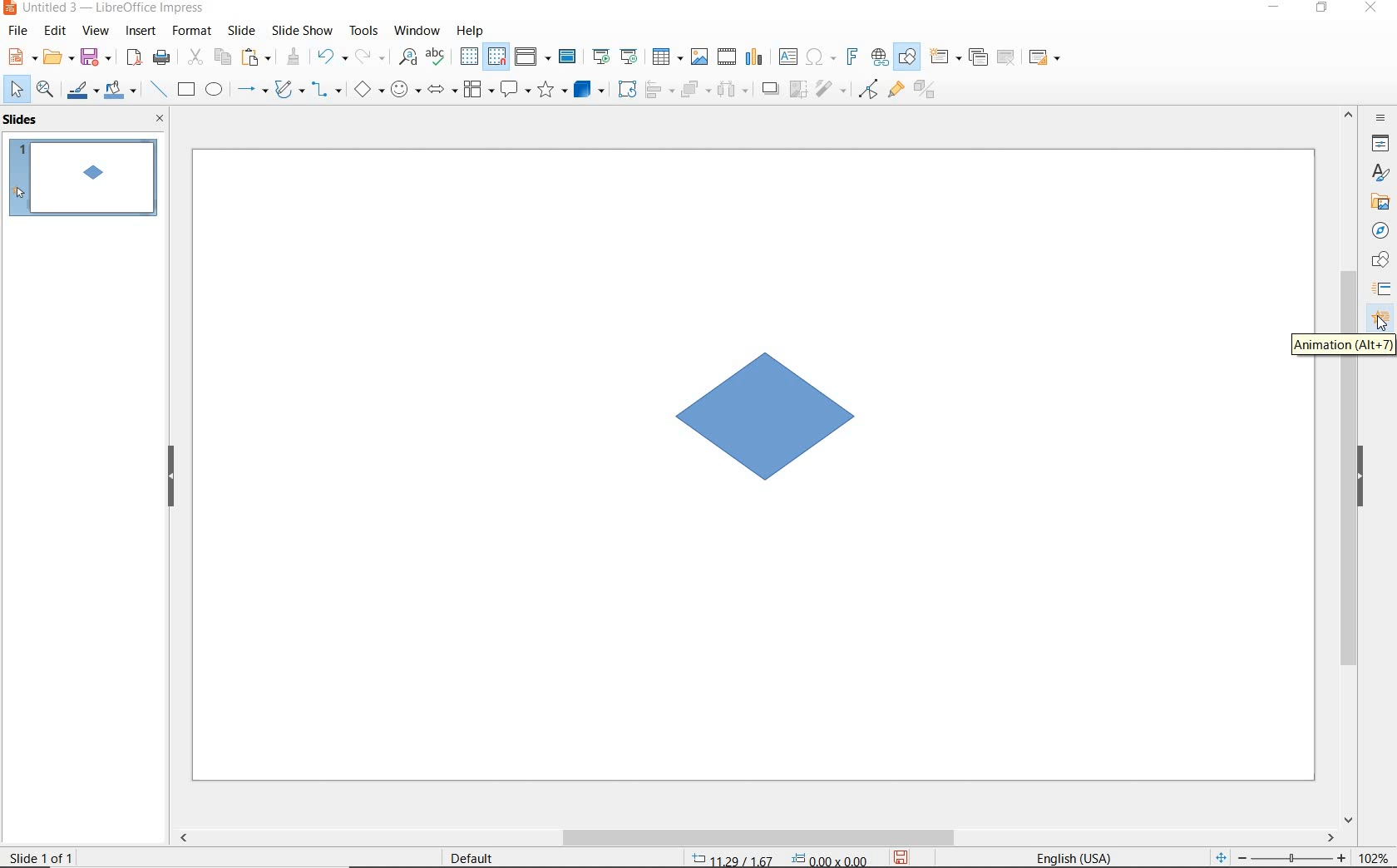  What do you see at coordinates (161, 121) in the screenshot?
I see `close` at bounding box center [161, 121].